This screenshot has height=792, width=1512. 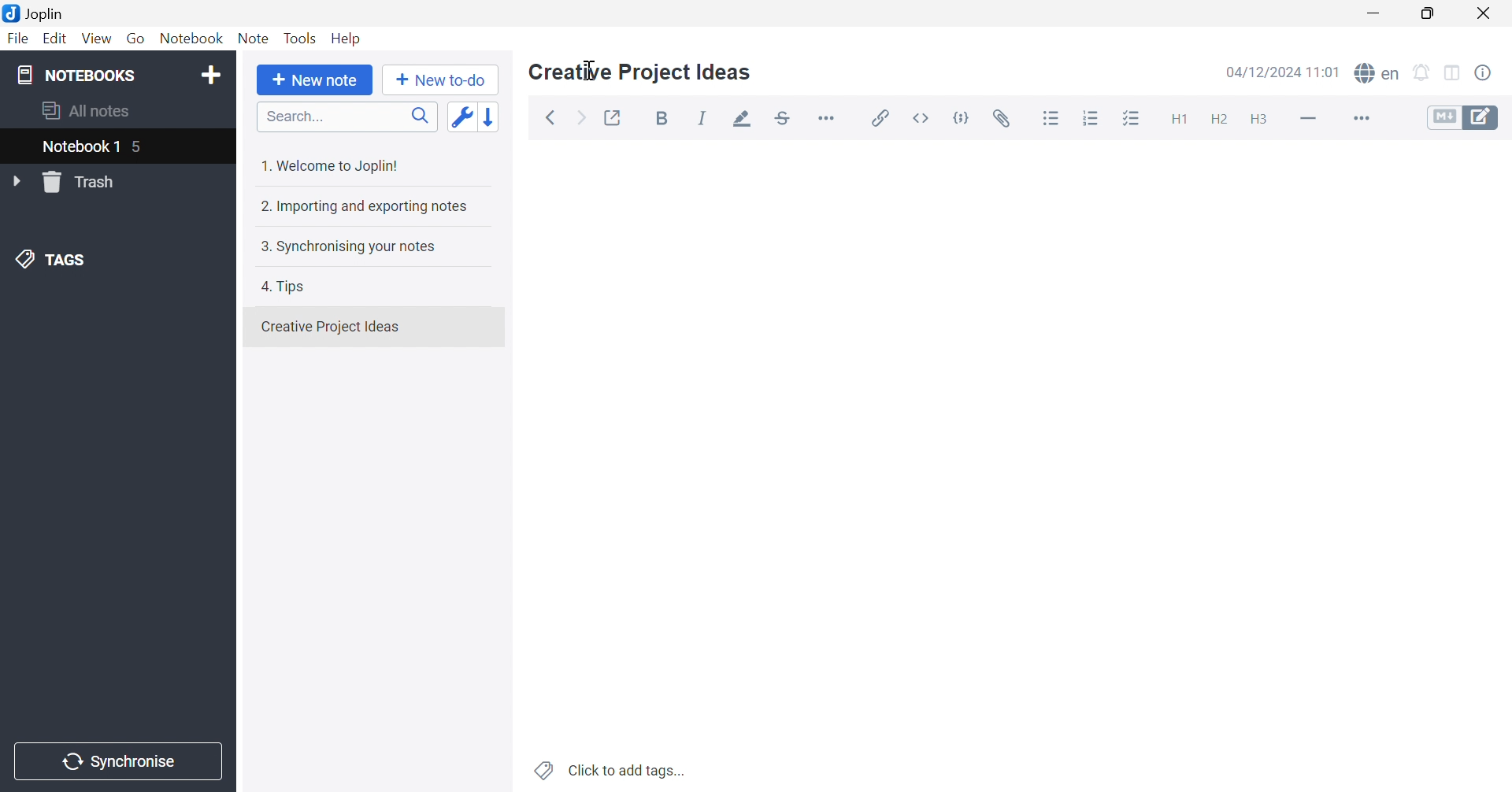 What do you see at coordinates (1423, 72) in the screenshot?
I see `Set alarm` at bounding box center [1423, 72].